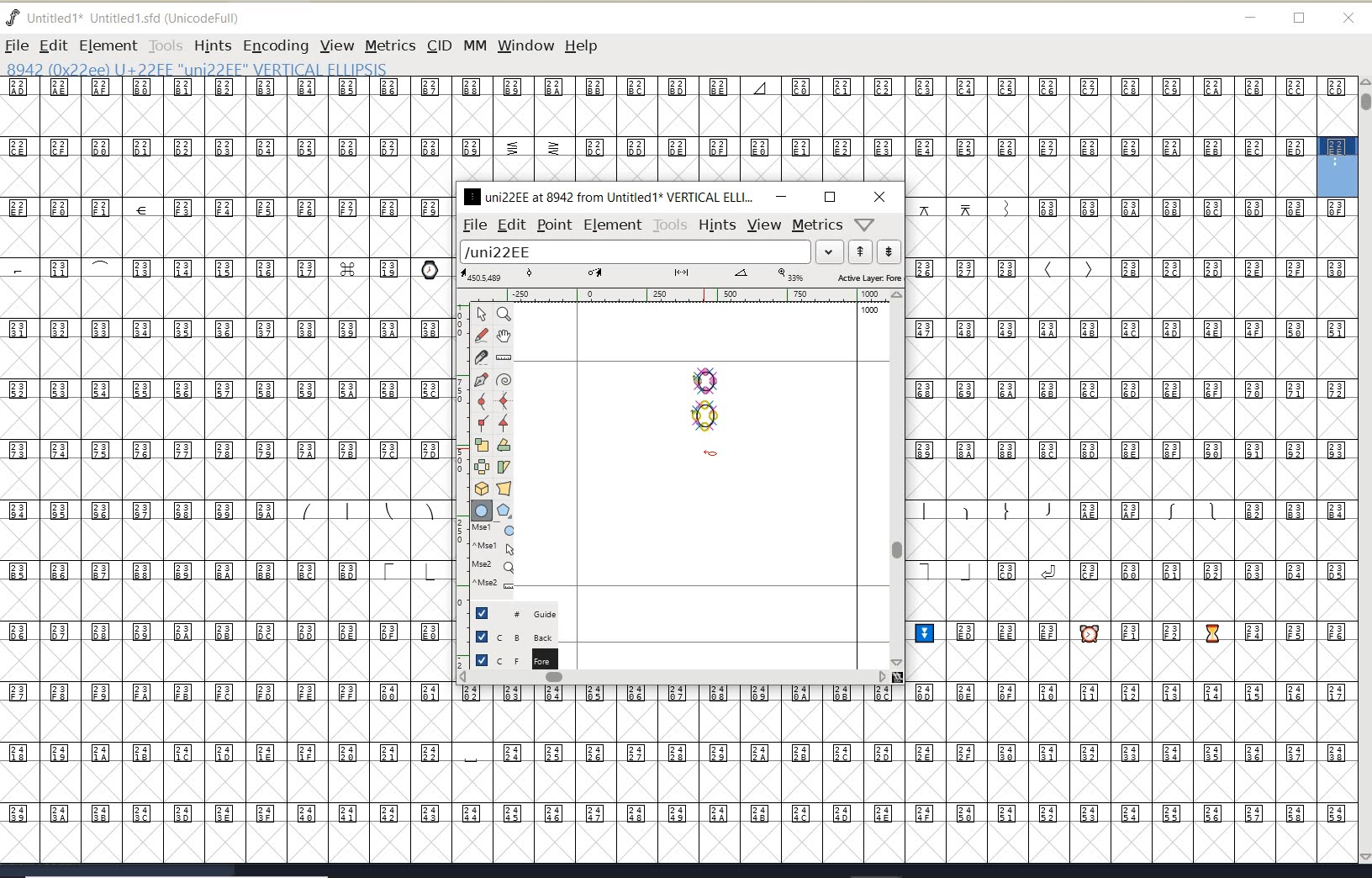 The image size is (1372, 878). Describe the element at coordinates (504, 314) in the screenshot. I see `magnify` at that location.